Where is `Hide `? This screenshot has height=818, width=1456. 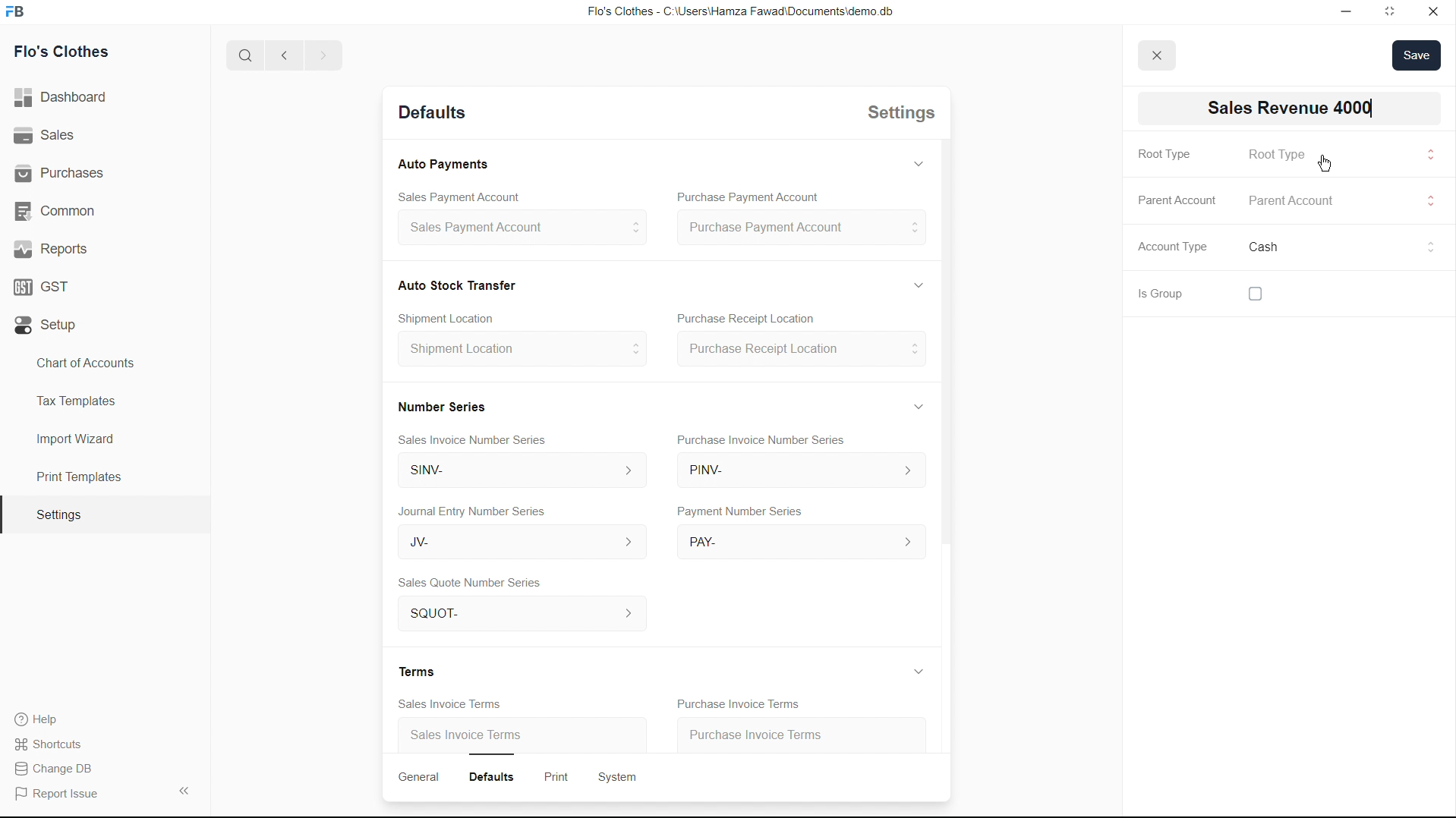 Hide  is located at coordinates (916, 671).